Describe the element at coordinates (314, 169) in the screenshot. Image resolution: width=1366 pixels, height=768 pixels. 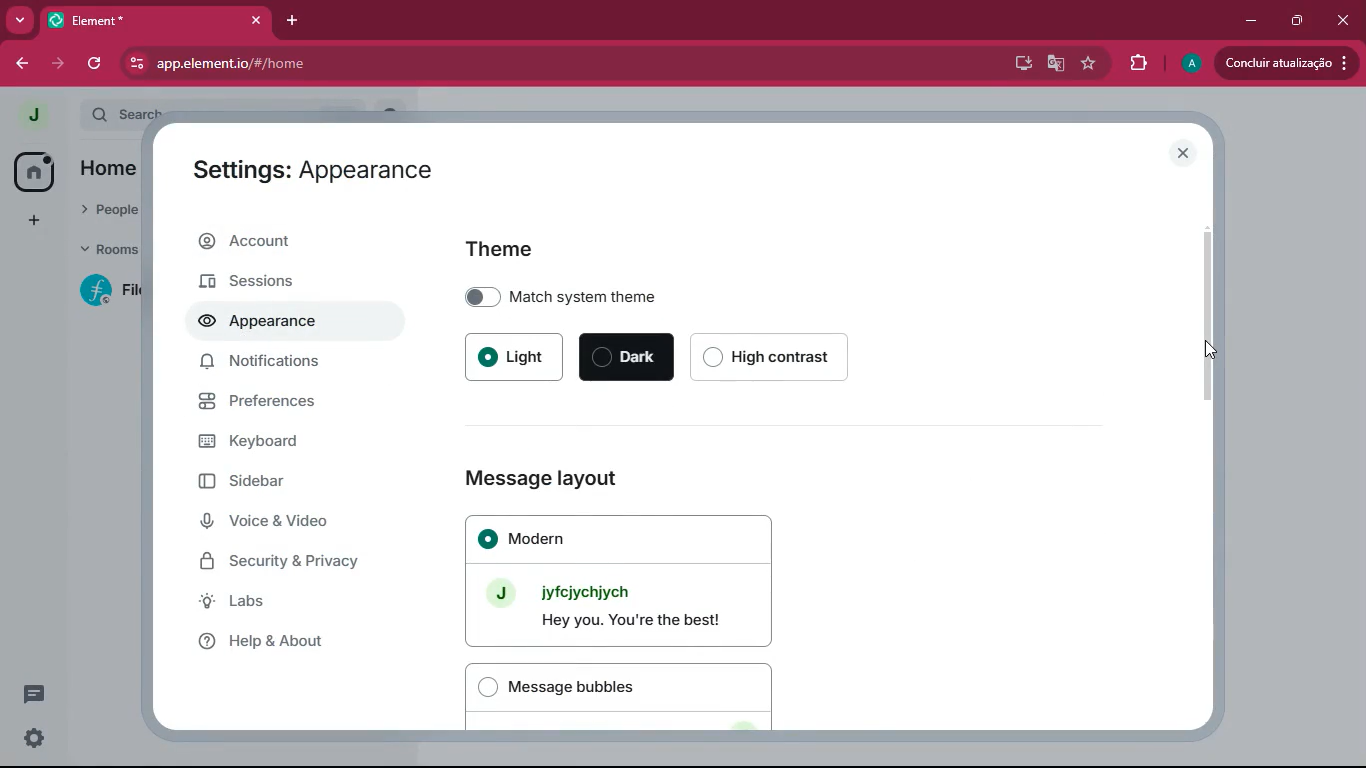
I see `Settings: Appearance` at that location.